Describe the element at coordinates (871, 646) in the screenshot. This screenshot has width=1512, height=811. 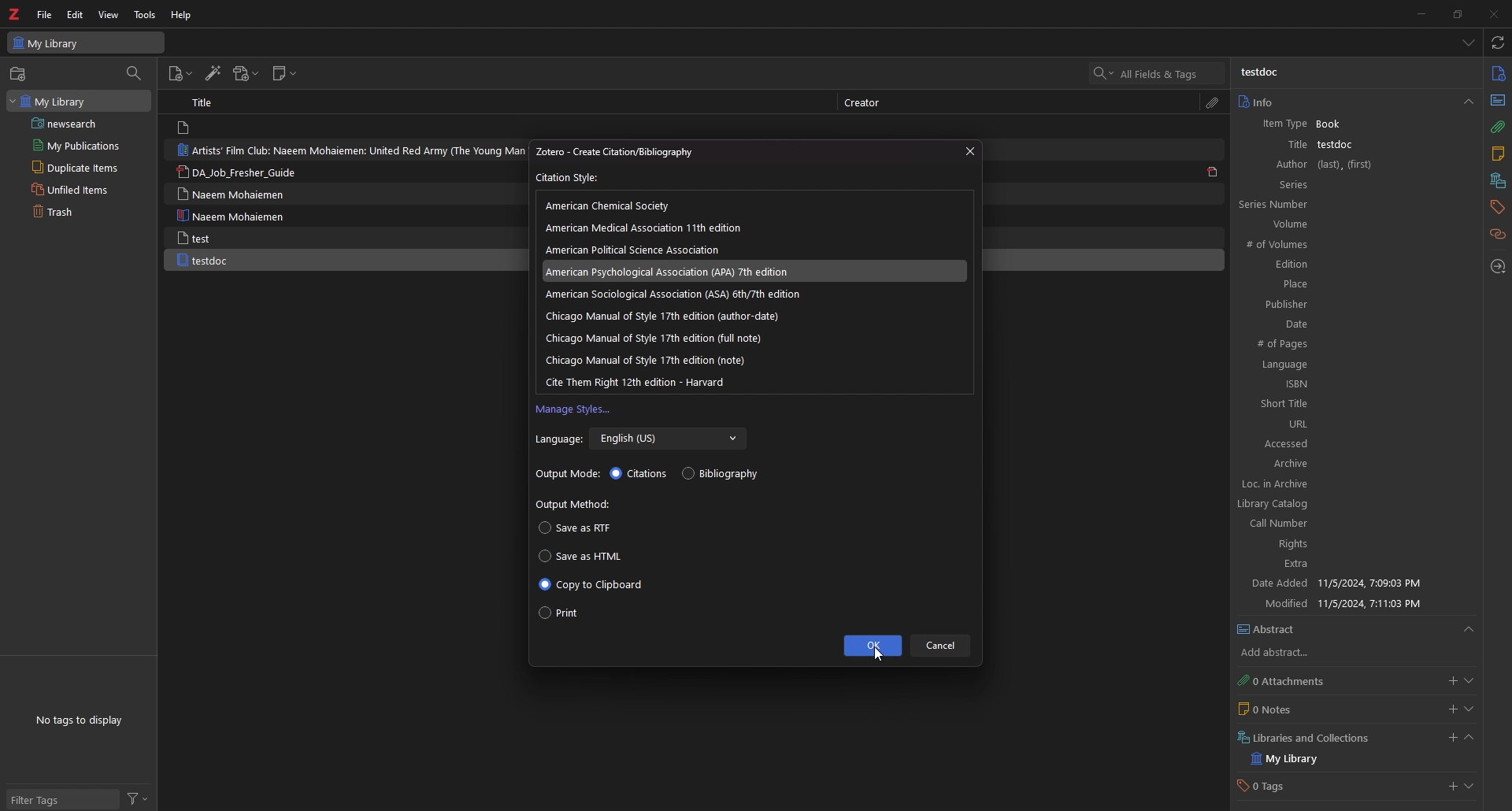
I see `ok` at that location.